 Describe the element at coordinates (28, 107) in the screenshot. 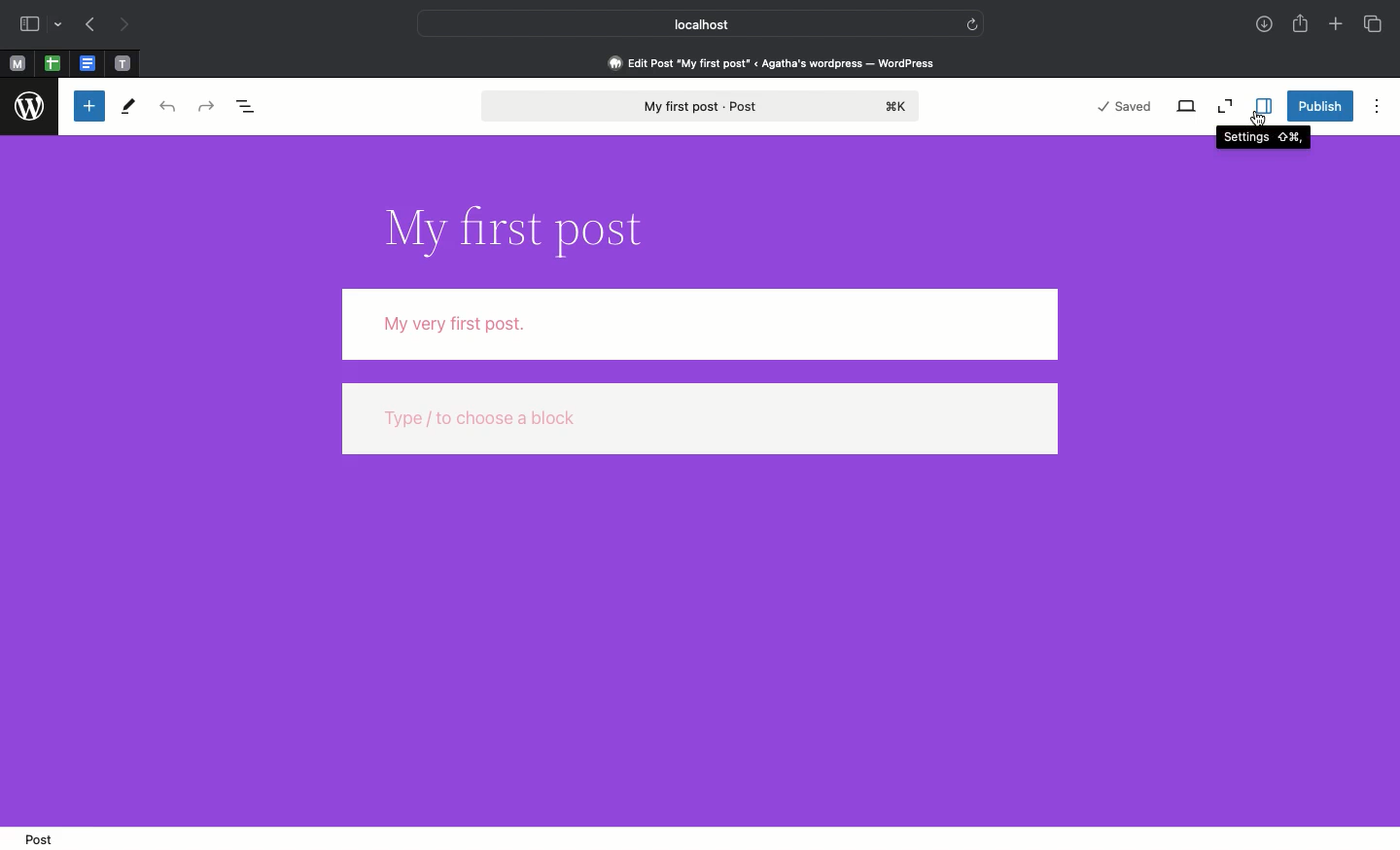

I see `Wordpress` at that location.